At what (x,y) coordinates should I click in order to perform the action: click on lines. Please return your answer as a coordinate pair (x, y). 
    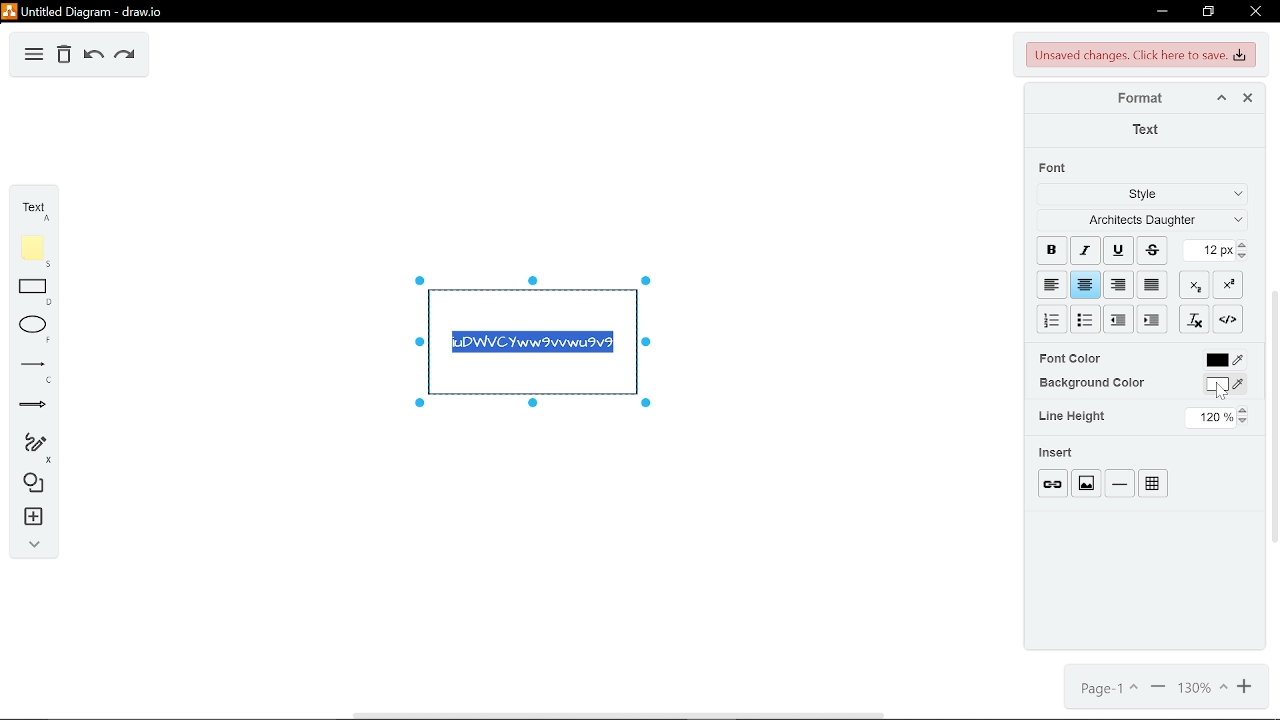
    Looking at the image, I should click on (27, 368).